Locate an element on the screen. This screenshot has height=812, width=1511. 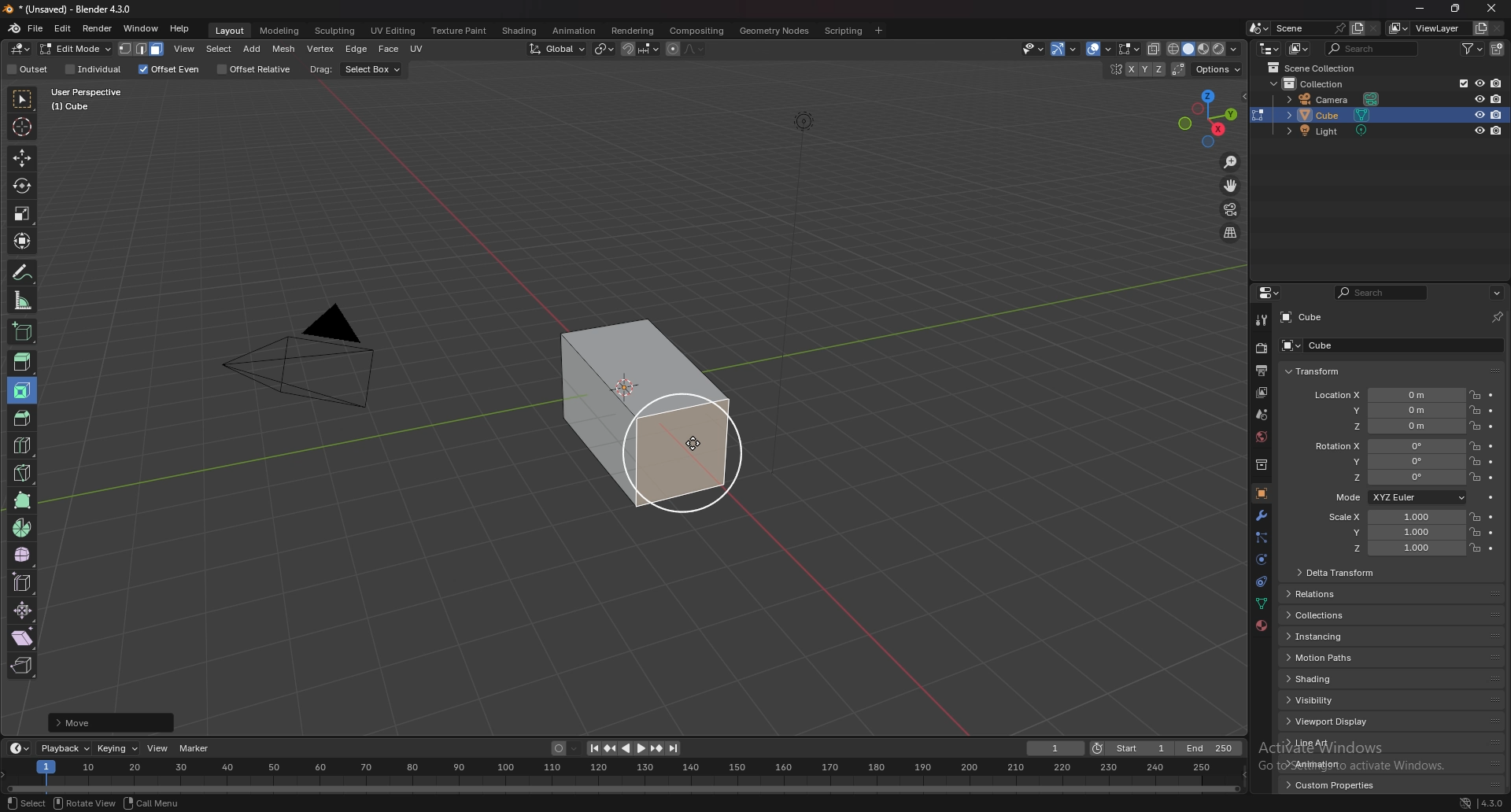
mesh edit mode is located at coordinates (1129, 48).